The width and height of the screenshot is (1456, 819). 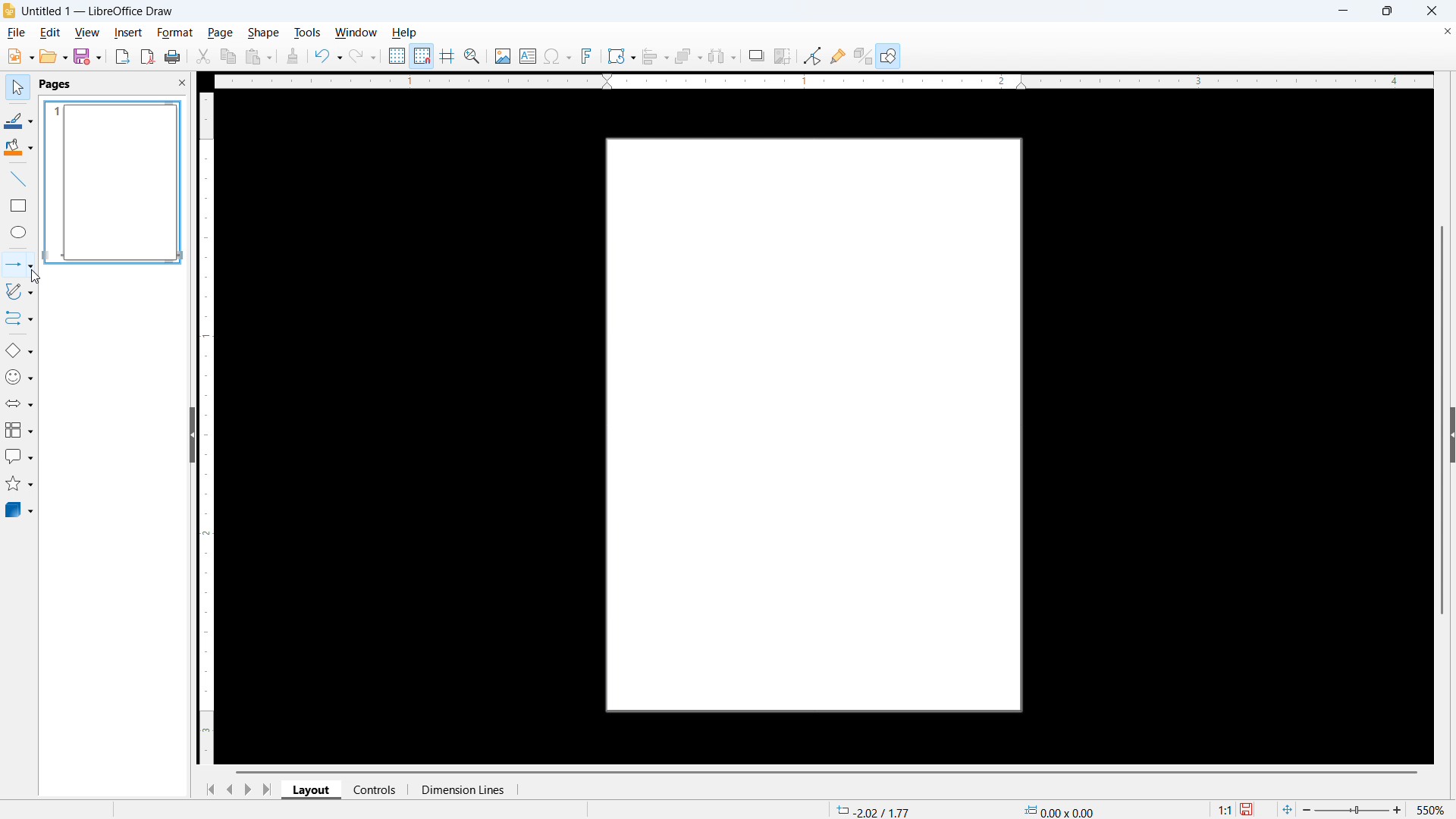 What do you see at coordinates (889, 55) in the screenshot?
I see `Help ` at bounding box center [889, 55].